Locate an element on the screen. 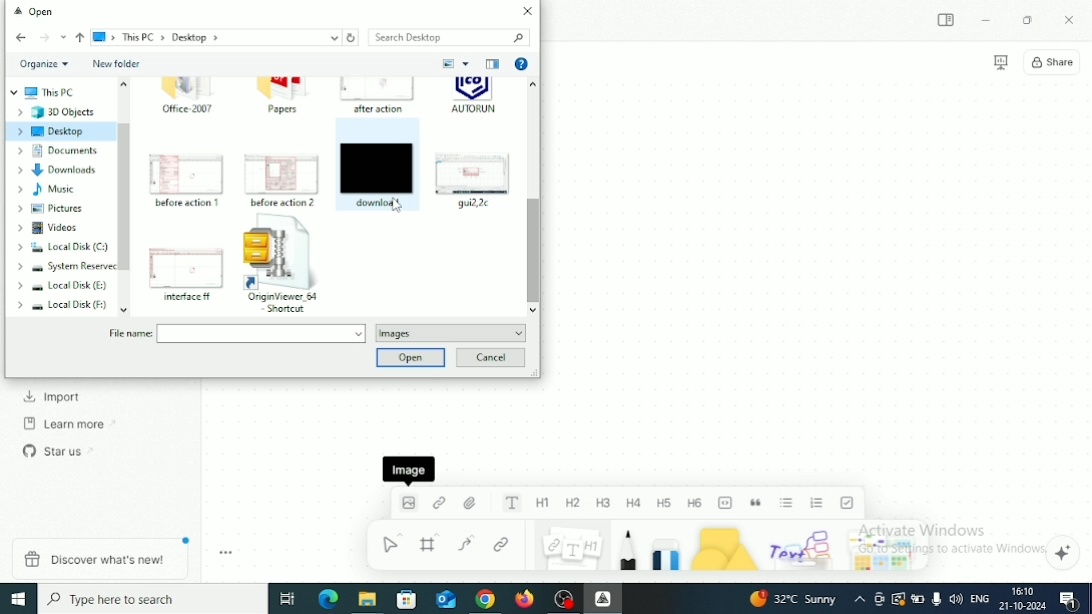 Image resolution: width=1092 pixels, height=614 pixels. Windows is located at coordinates (20, 598).